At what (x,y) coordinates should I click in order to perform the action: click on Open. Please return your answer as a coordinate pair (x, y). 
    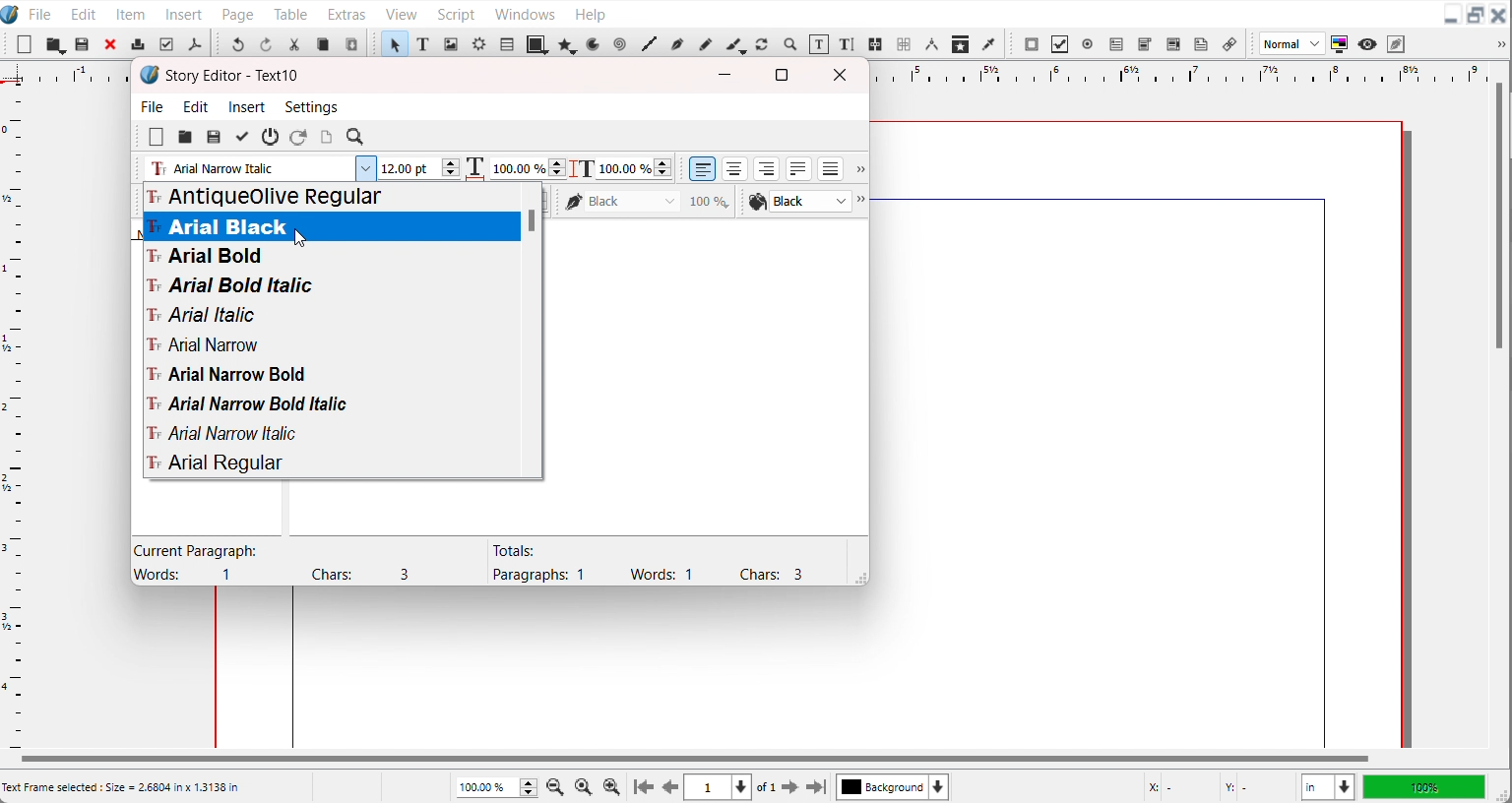
    Looking at the image, I should click on (84, 45).